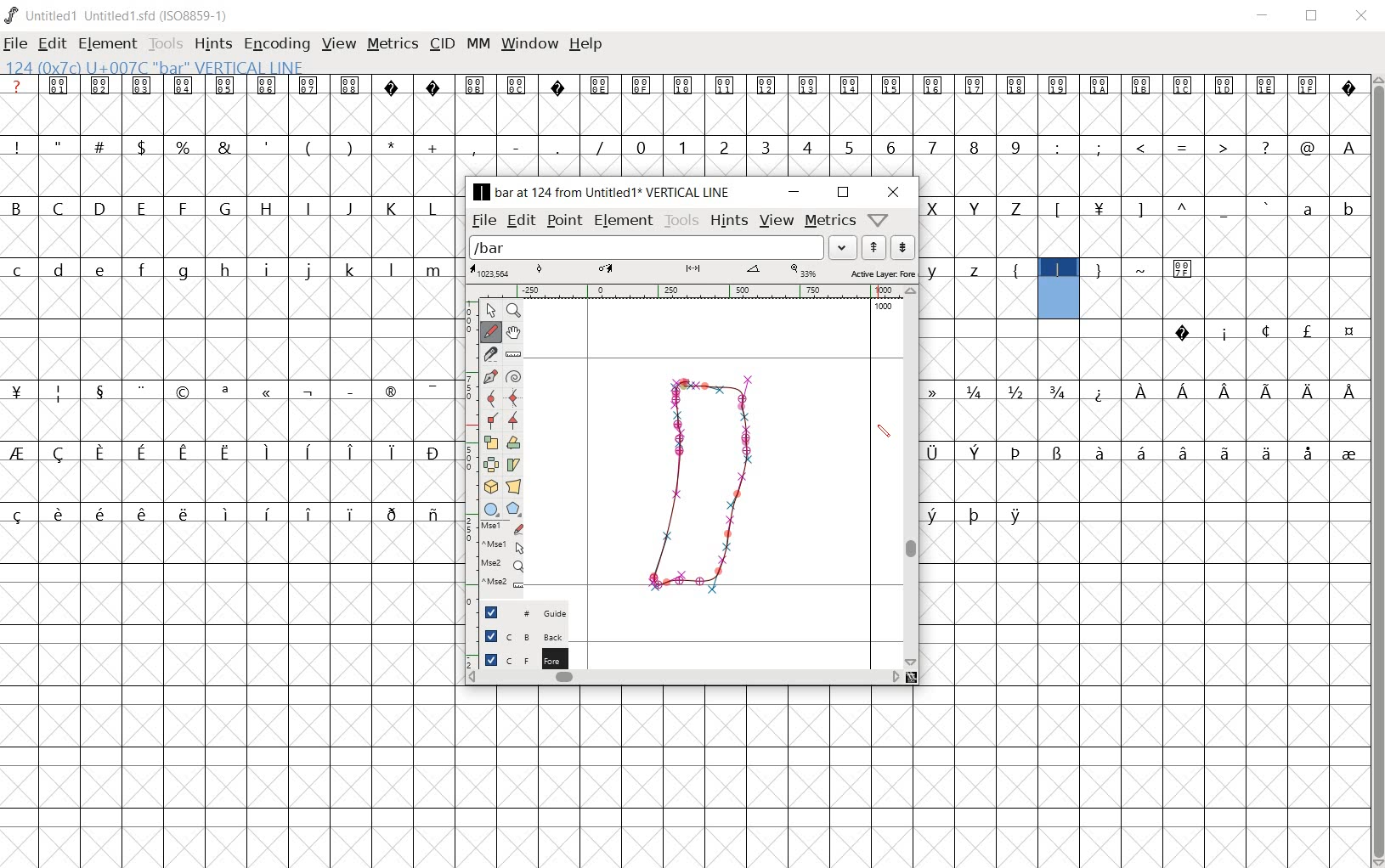 The height and width of the screenshot is (868, 1385). Describe the element at coordinates (232, 514) in the screenshot. I see `special letters` at that location.